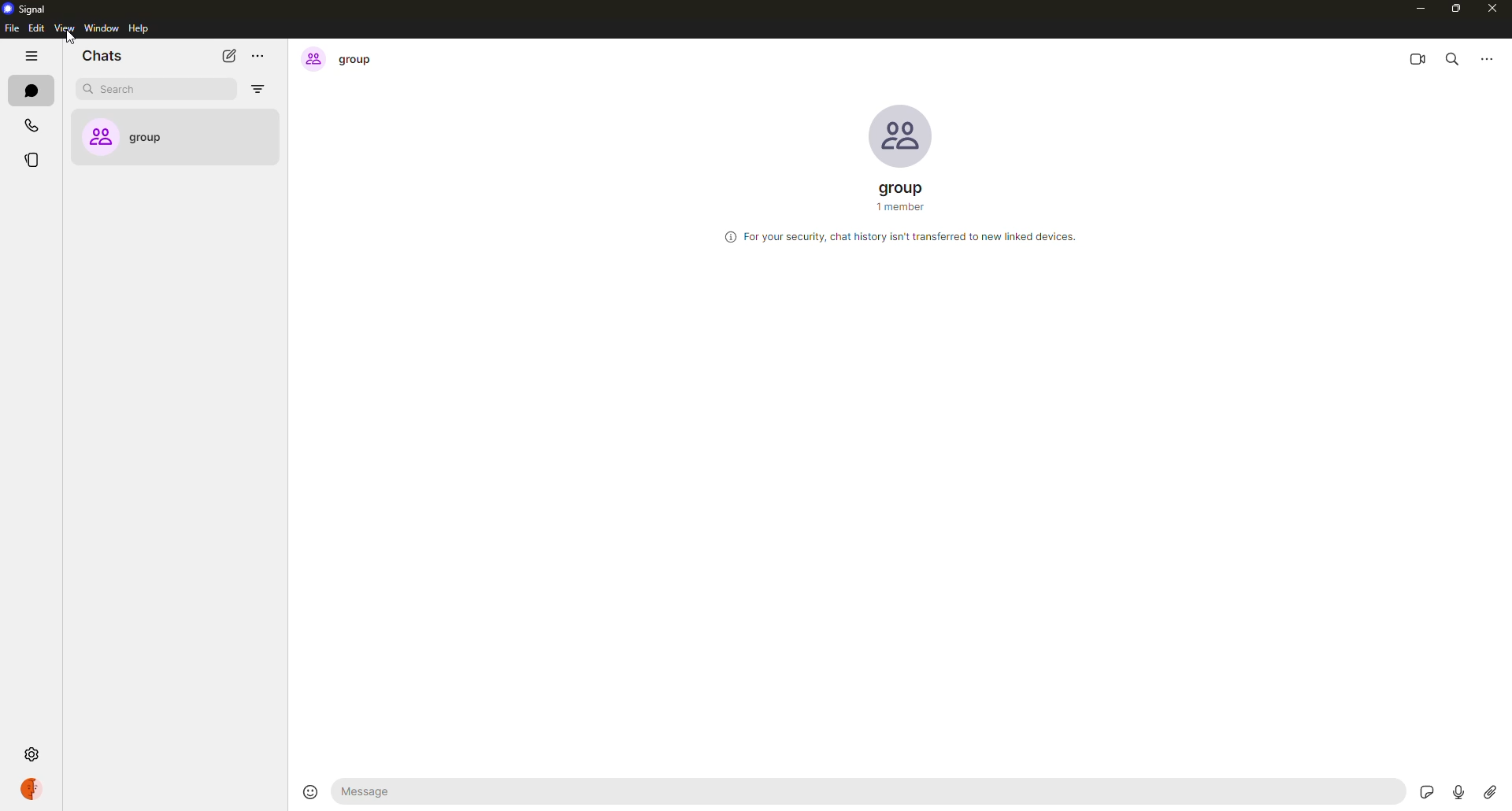 This screenshot has height=811, width=1512. I want to click on hide tabs, so click(33, 57).